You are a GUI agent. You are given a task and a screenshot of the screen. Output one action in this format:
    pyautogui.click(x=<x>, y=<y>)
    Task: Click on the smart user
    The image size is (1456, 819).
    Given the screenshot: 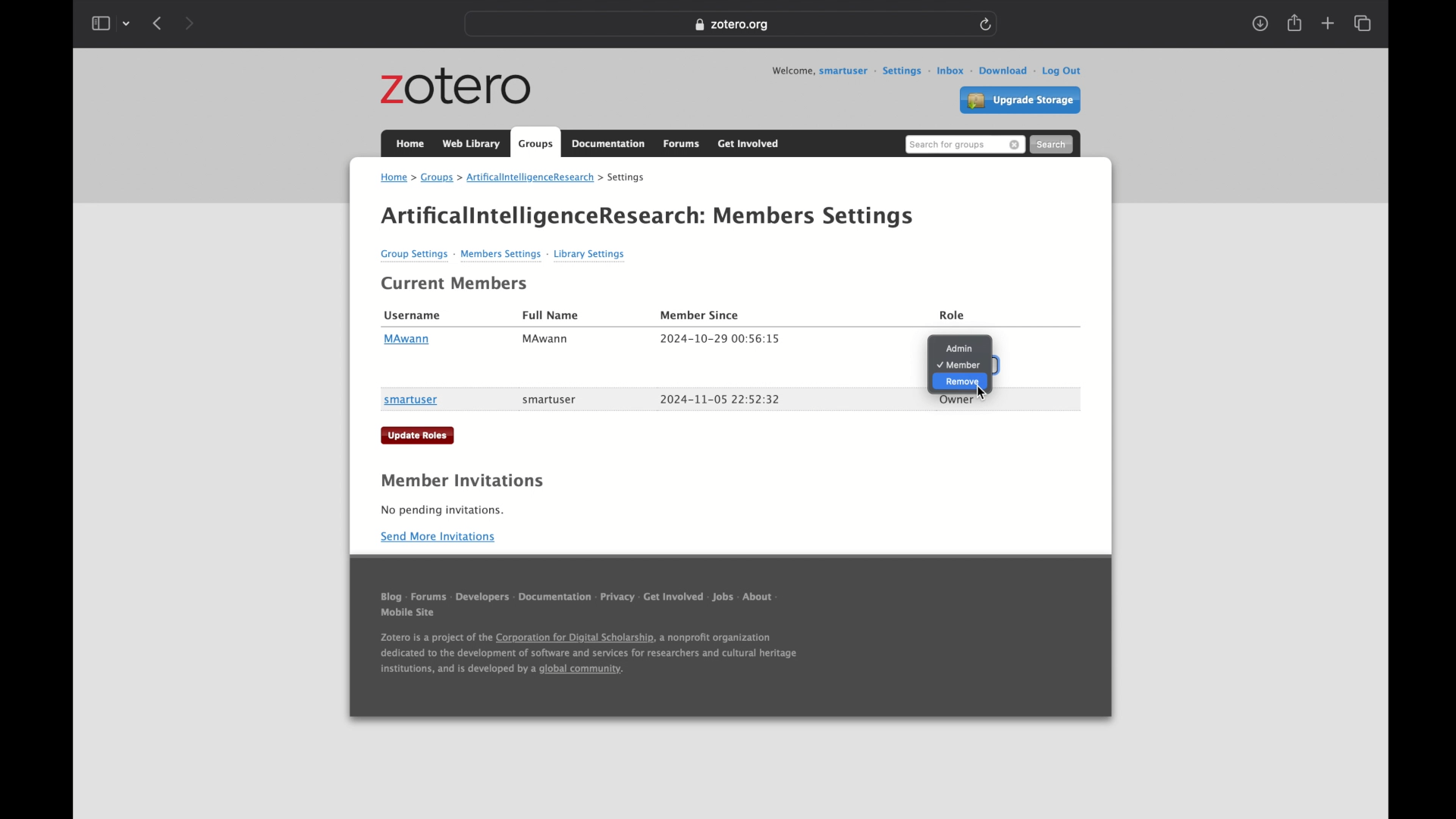 What is the action you would take?
    pyautogui.click(x=550, y=400)
    